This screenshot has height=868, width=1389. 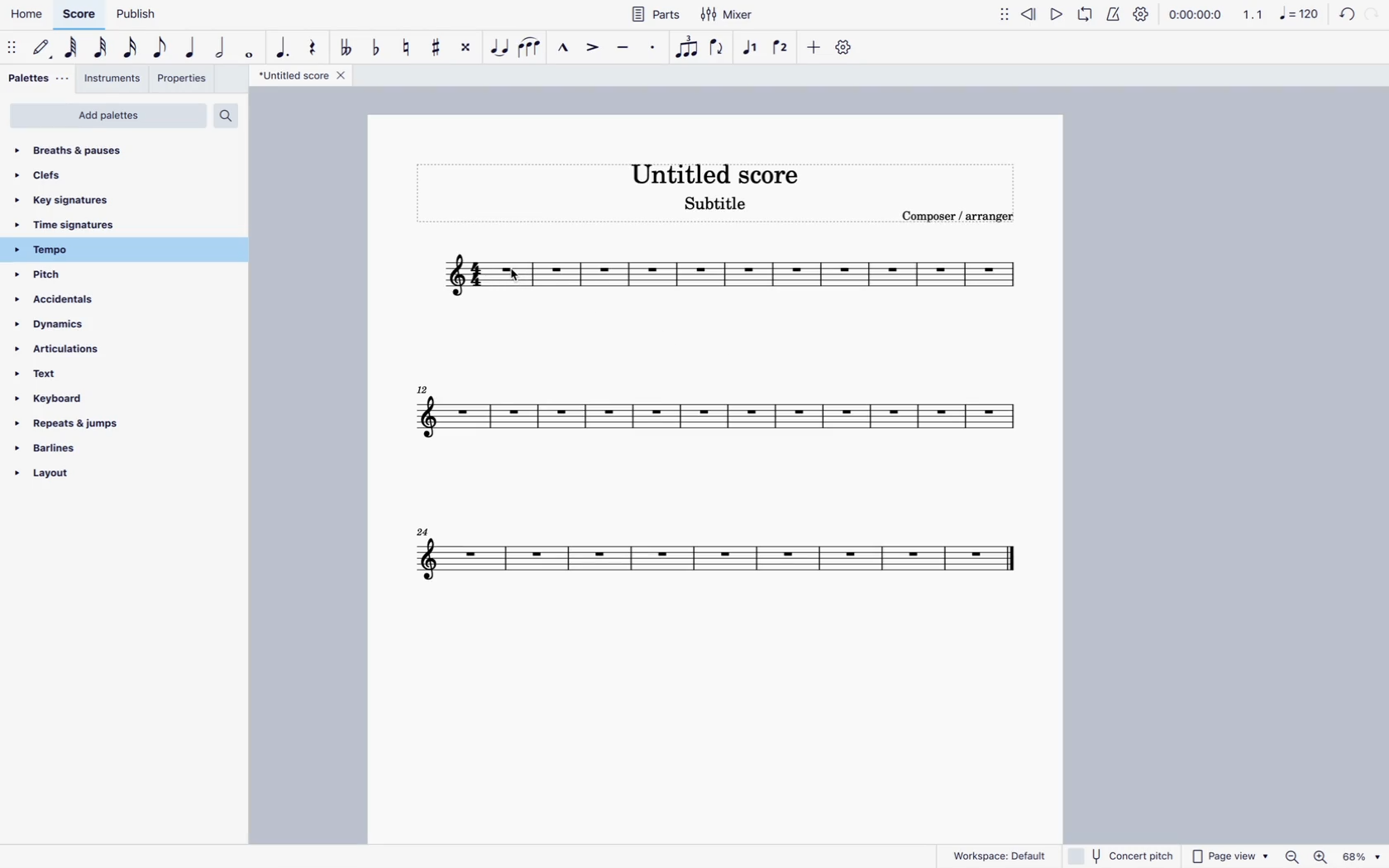 What do you see at coordinates (115, 174) in the screenshot?
I see `clefs` at bounding box center [115, 174].